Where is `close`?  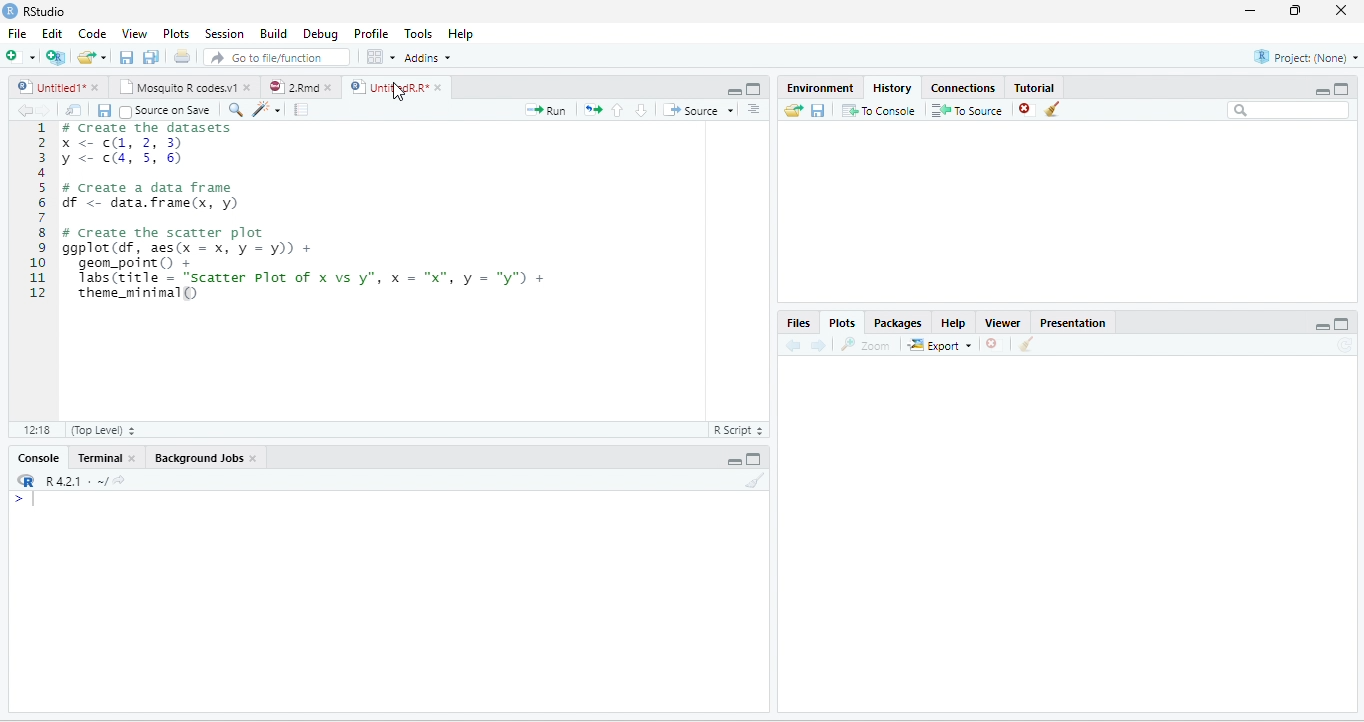
close is located at coordinates (1340, 11).